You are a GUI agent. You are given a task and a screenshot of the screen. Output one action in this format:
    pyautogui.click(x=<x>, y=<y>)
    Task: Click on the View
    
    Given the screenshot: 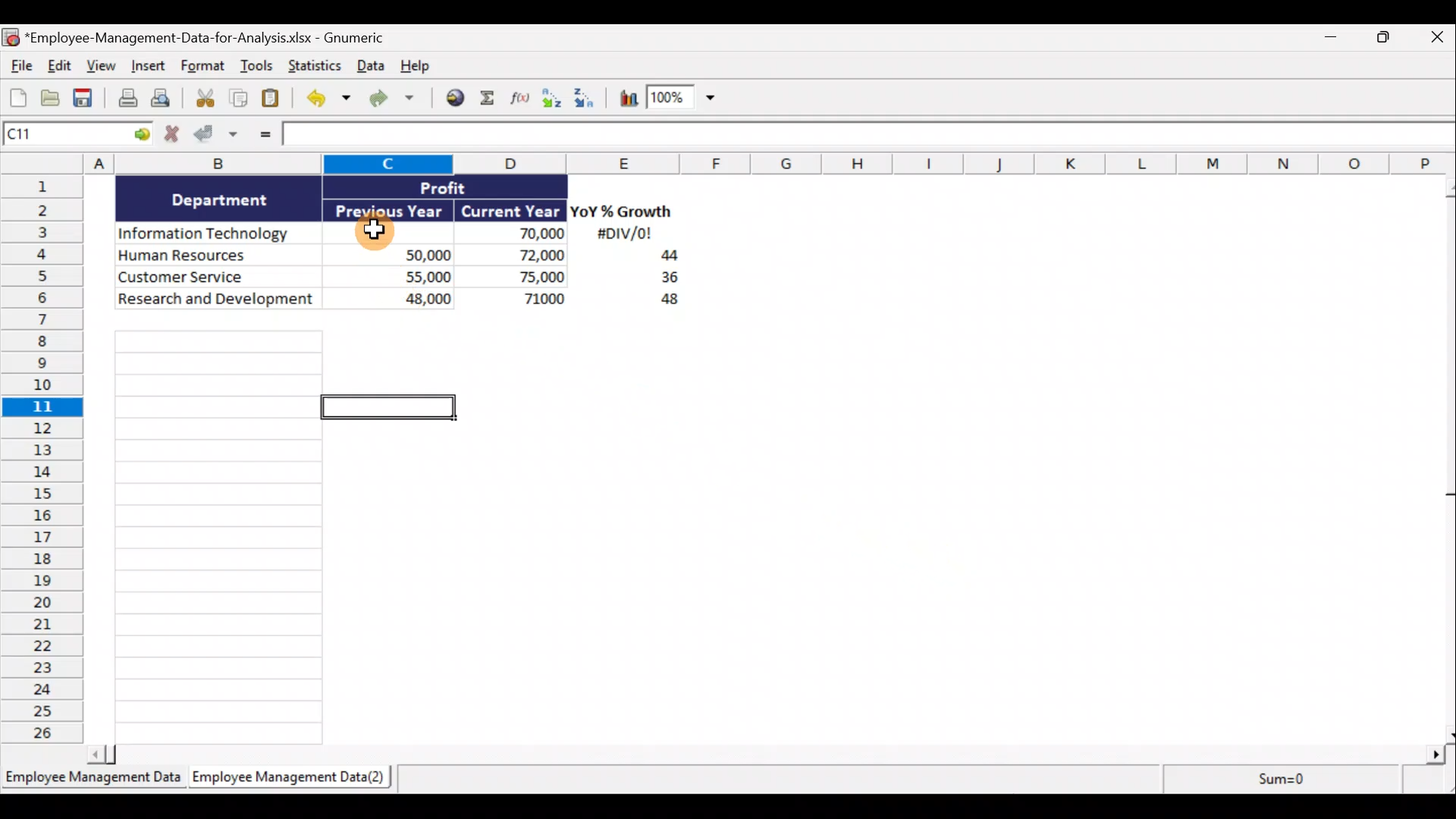 What is the action you would take?
    pyautogui.click(x=103, y=67)
    